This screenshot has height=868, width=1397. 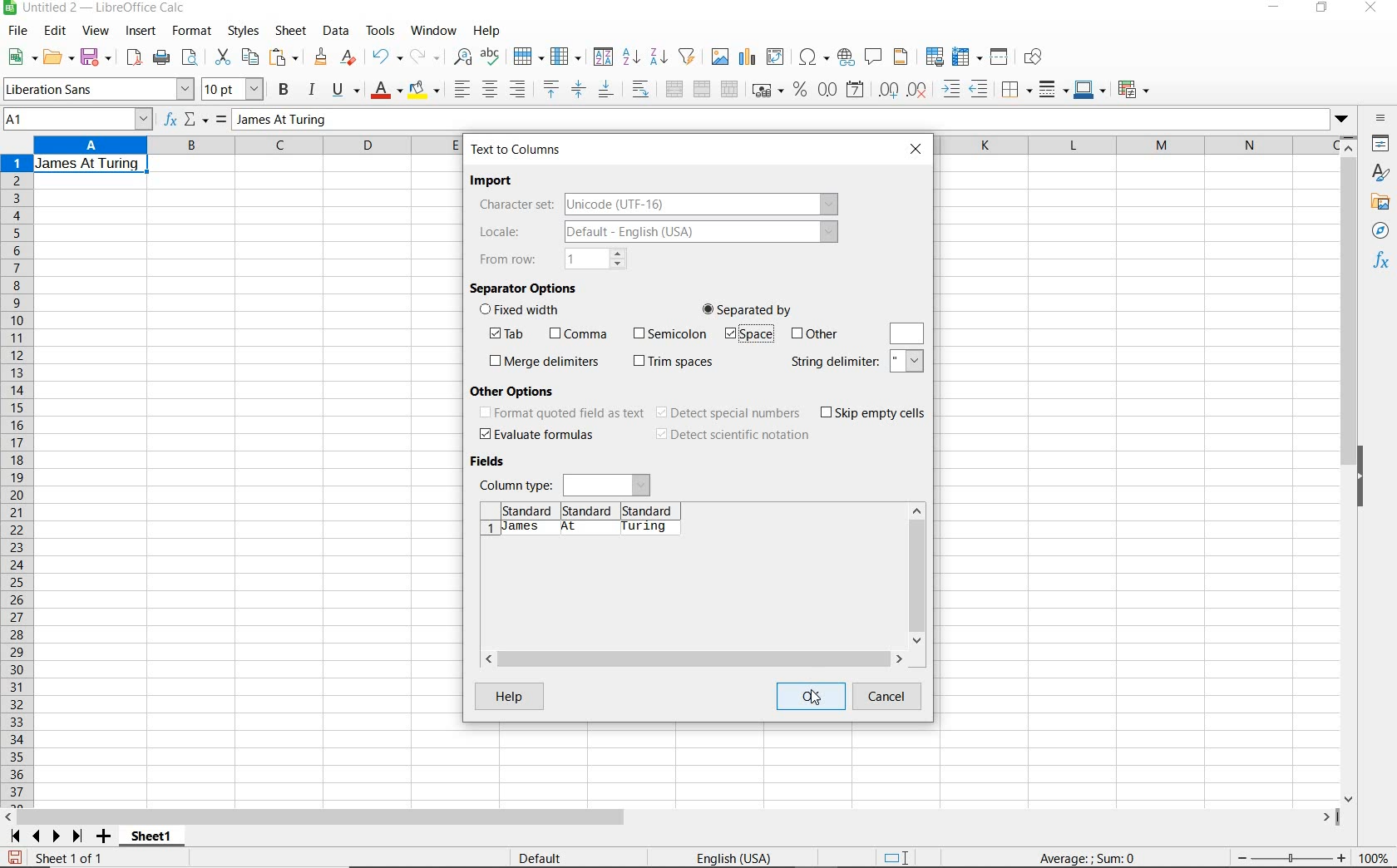 What do you see at coordinates (1111, 859) in the screenshot?
I see `formula` at bounding box center [1111, 859].